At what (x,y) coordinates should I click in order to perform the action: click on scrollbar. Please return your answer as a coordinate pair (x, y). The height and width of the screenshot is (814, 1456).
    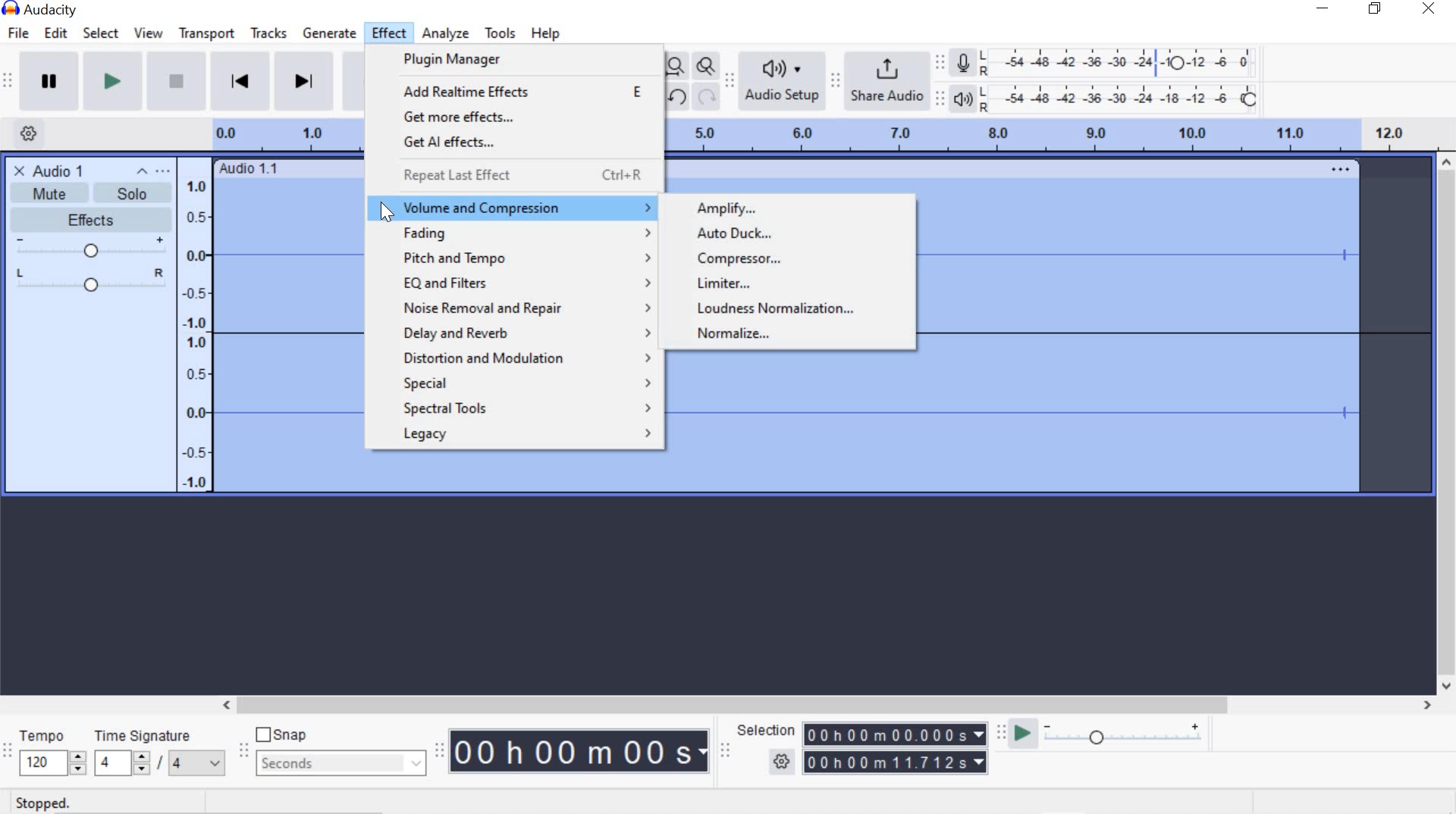
    Looking at the image, I should click on (1447, 424).